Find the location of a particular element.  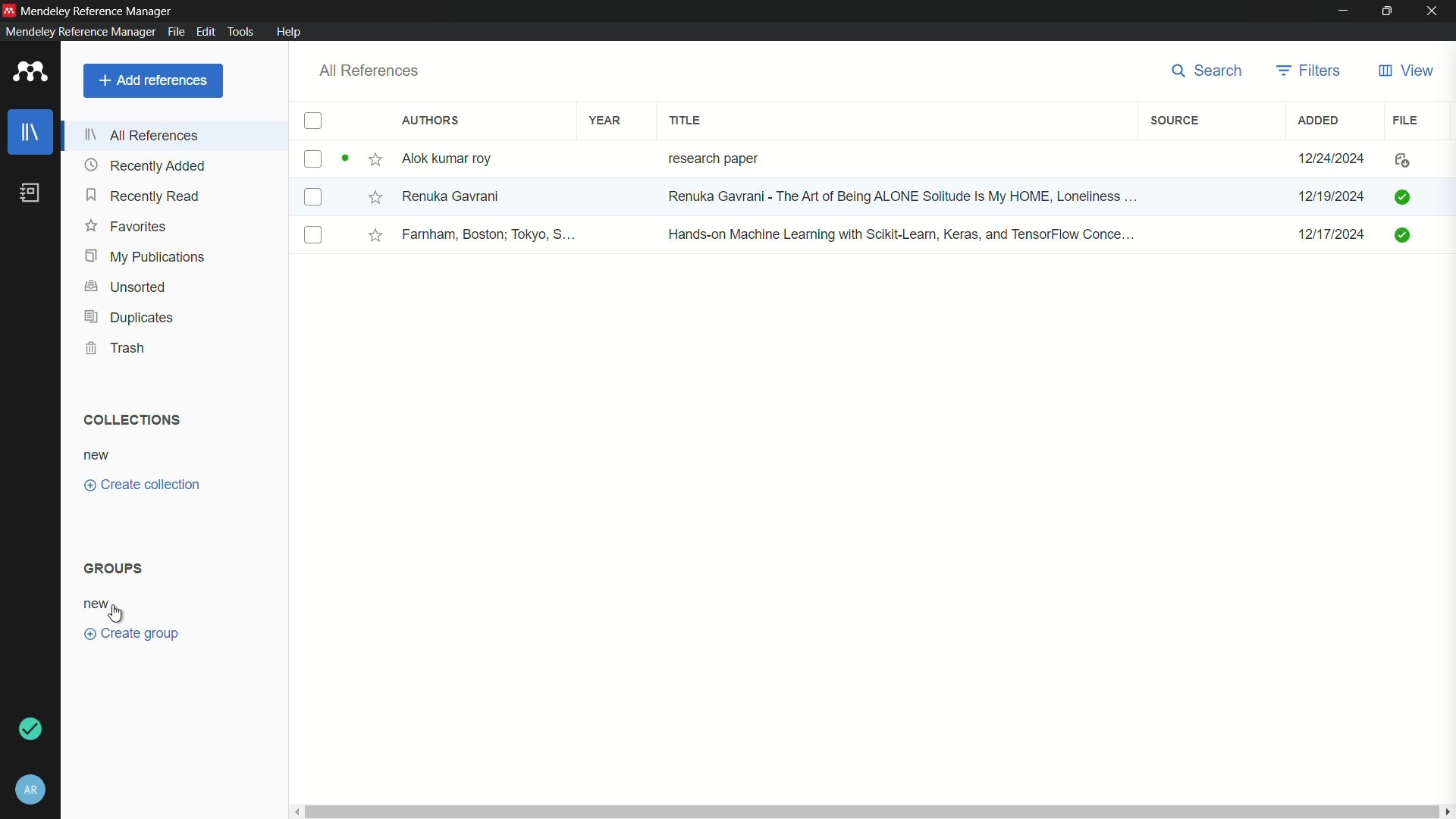

new is located at coordinates (95, 604).